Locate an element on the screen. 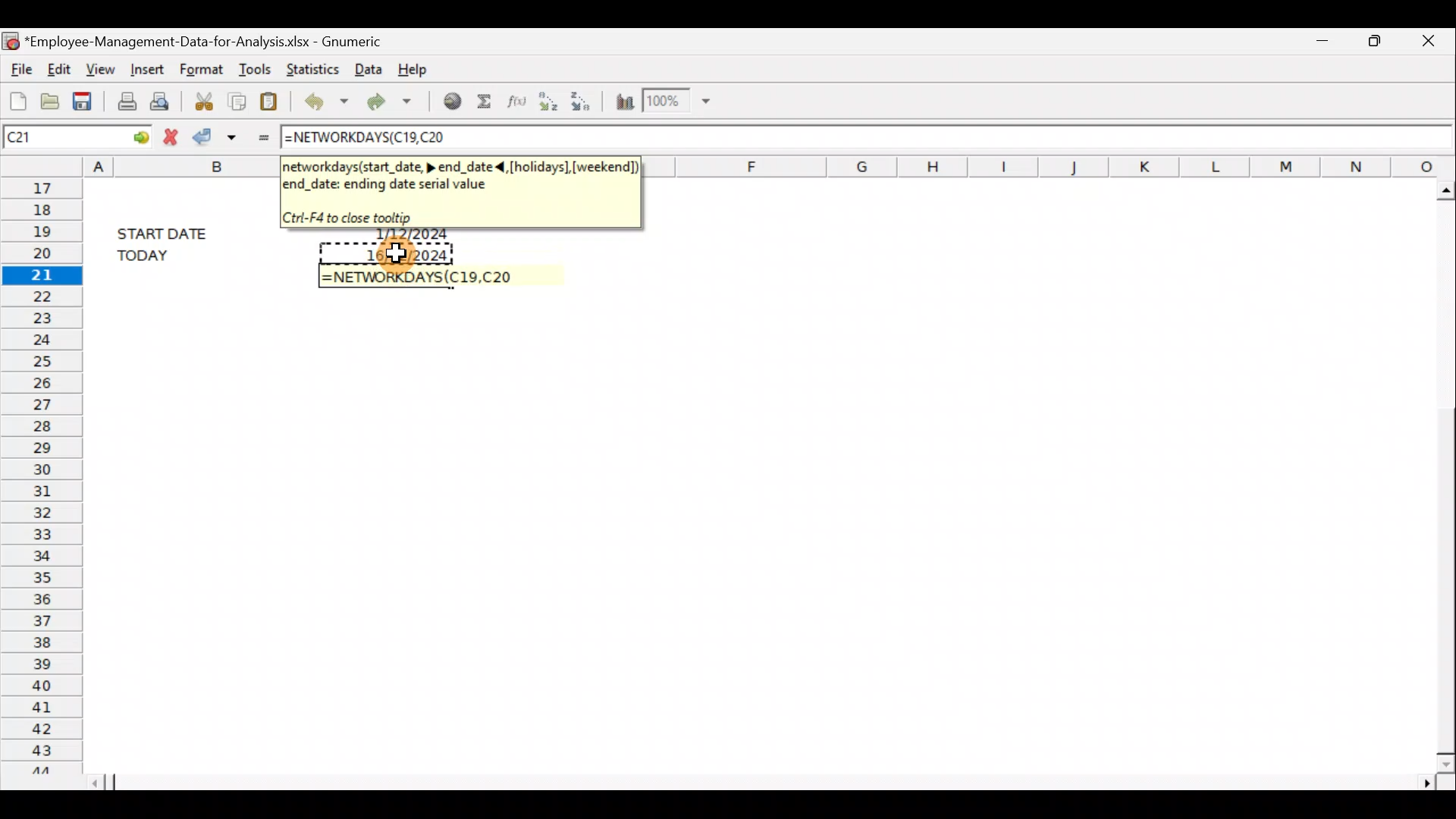 The height and width of the screenshot is (819, 1456). Enter formula is located at coordinates (260, 136).